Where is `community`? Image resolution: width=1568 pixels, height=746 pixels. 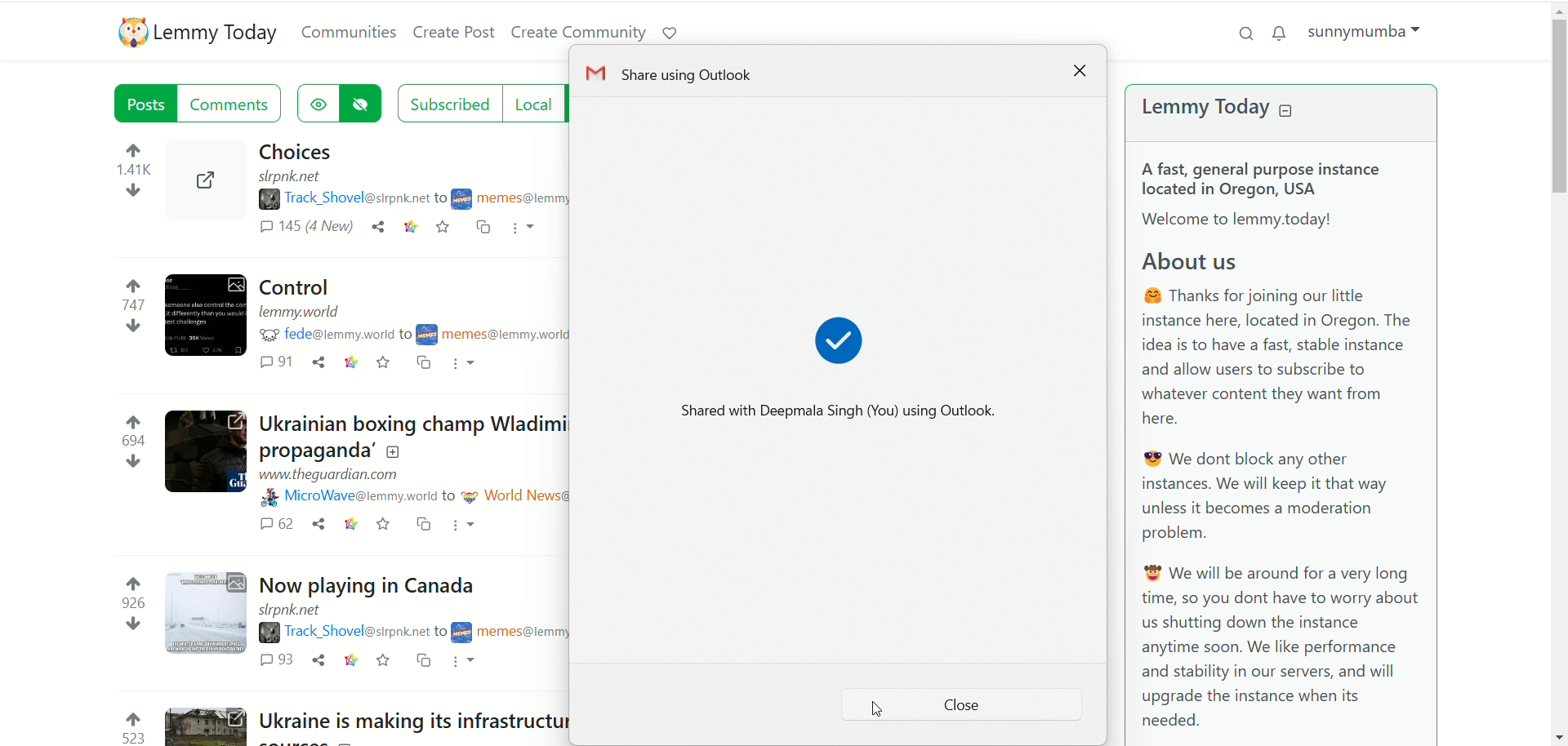 community is located at coordinates (513, 198).